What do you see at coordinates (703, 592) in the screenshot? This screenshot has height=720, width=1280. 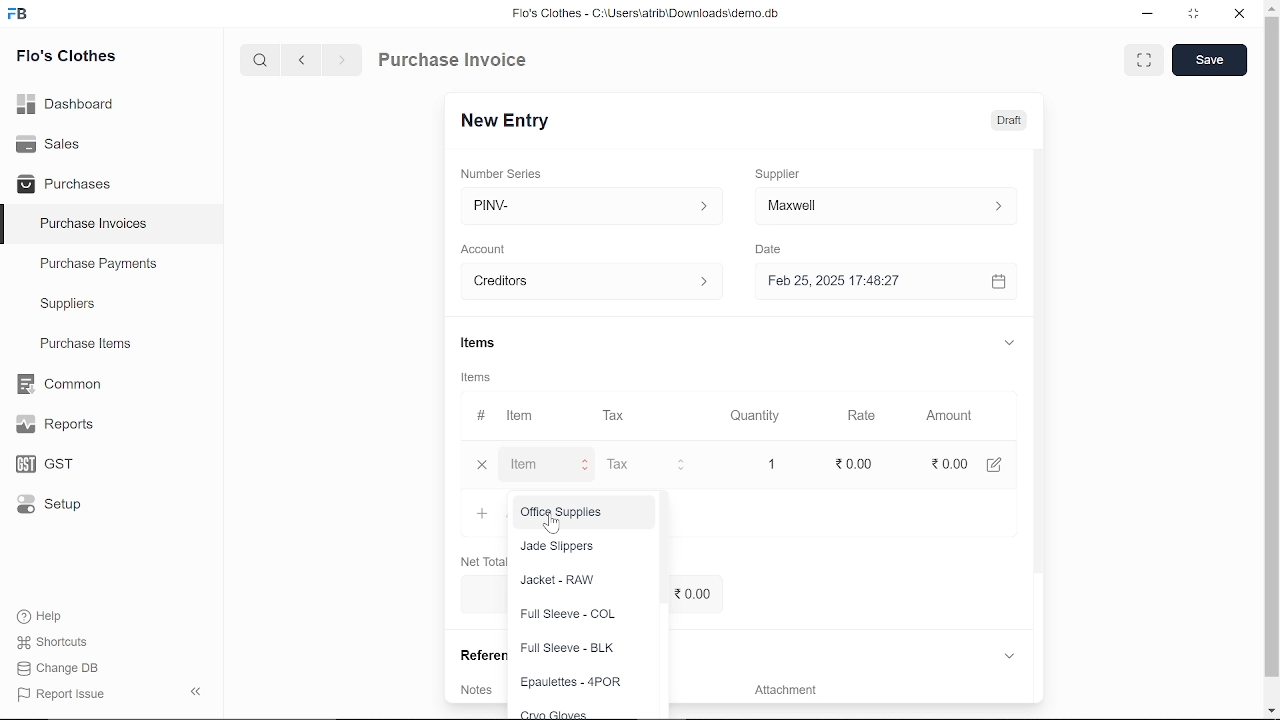 I see `0.00` at bounding box center [703, 592].